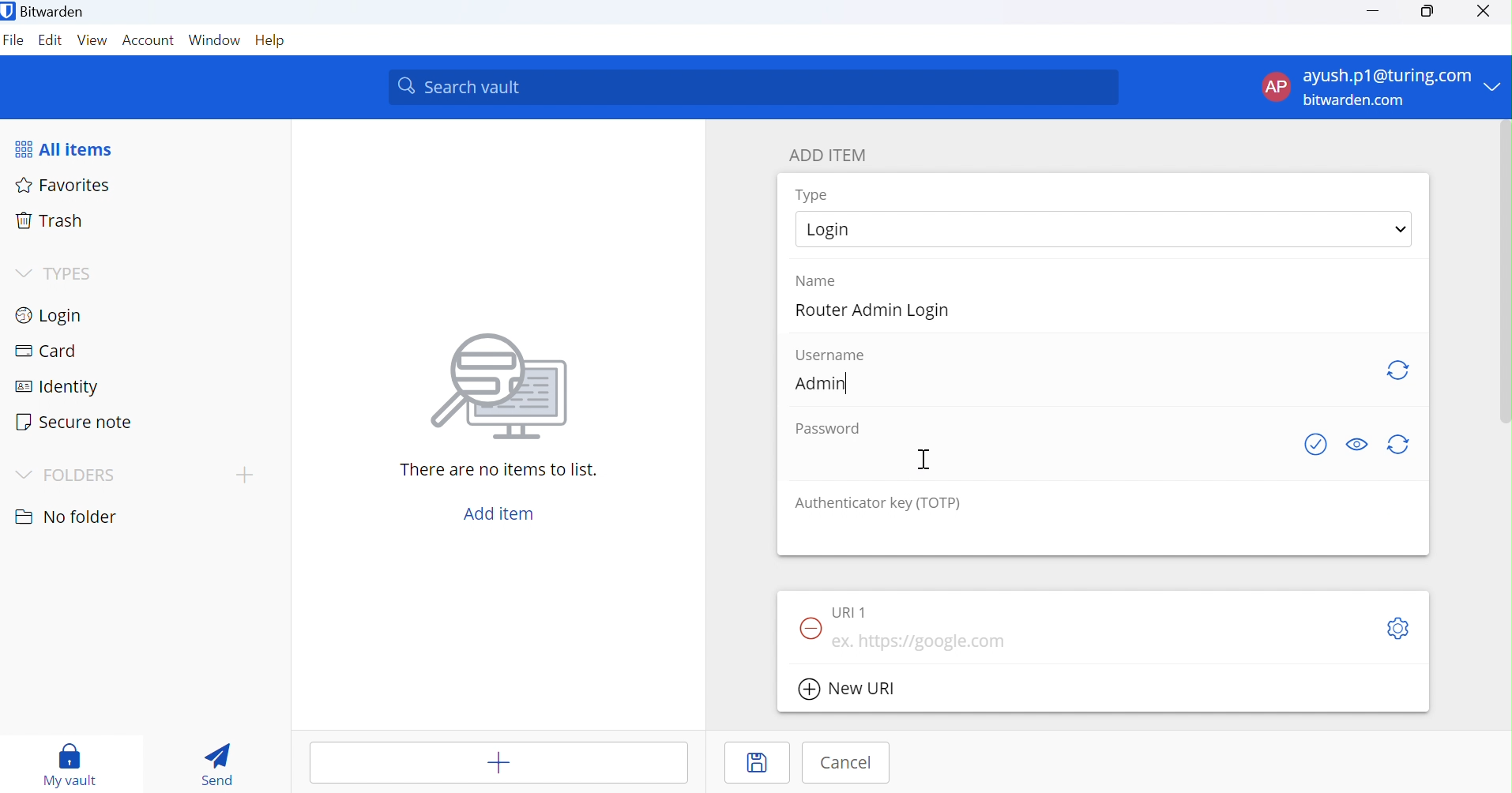 This screenshot has width=1512, height=793. I want to click on Card, so click(47, 352).